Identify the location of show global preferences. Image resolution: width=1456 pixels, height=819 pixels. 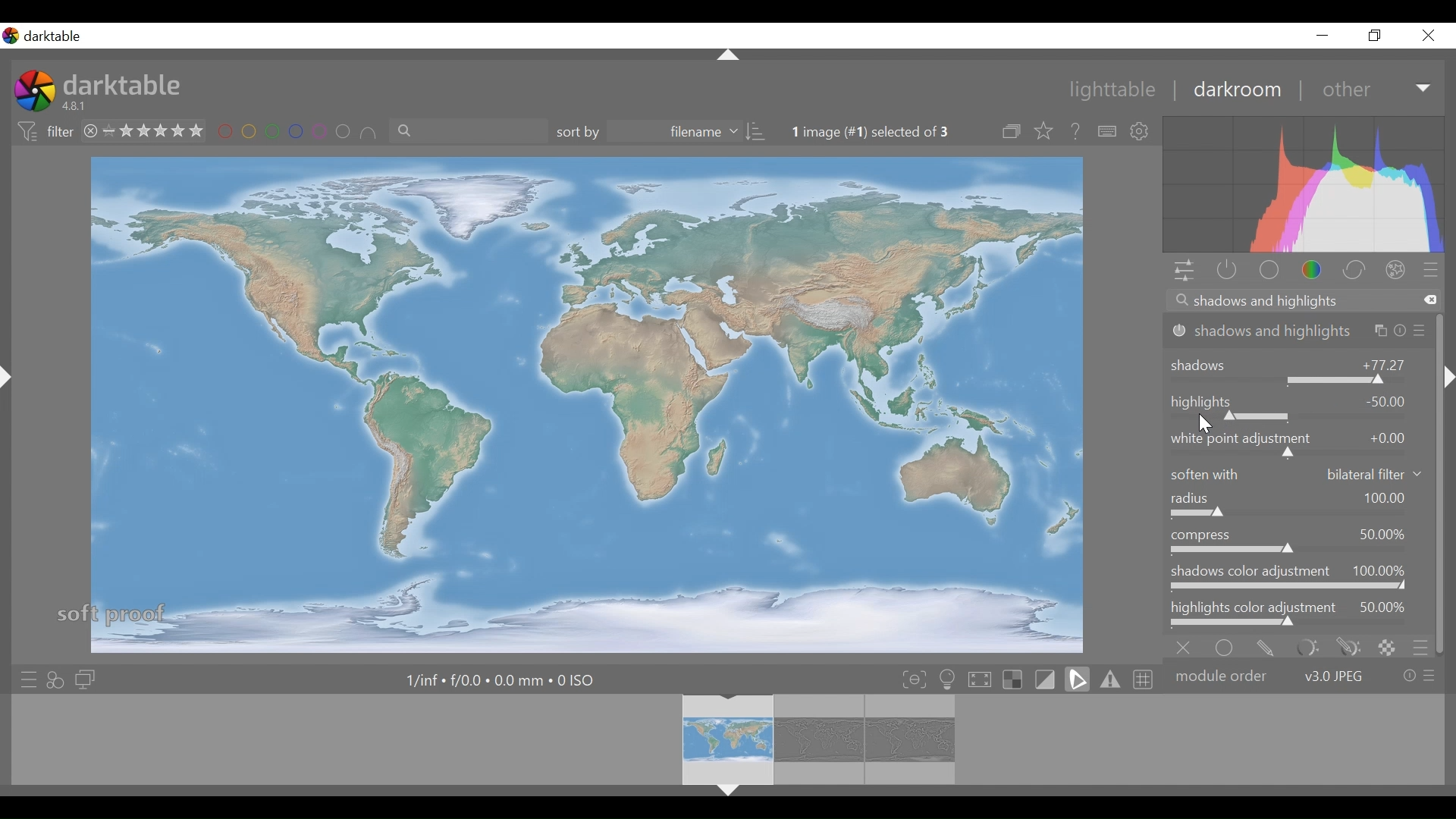
(1144, 131).